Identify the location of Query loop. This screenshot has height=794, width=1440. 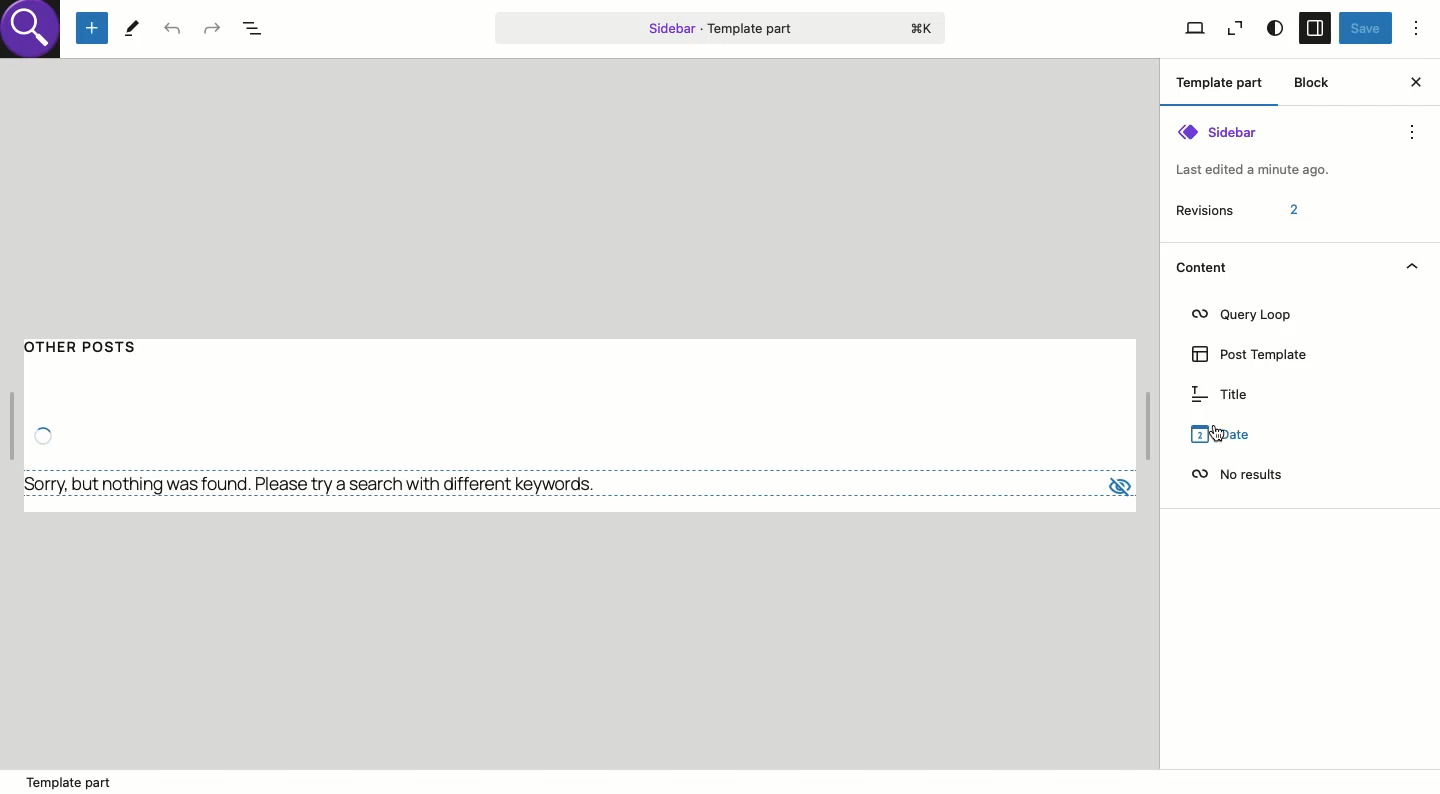
(1243, 315).